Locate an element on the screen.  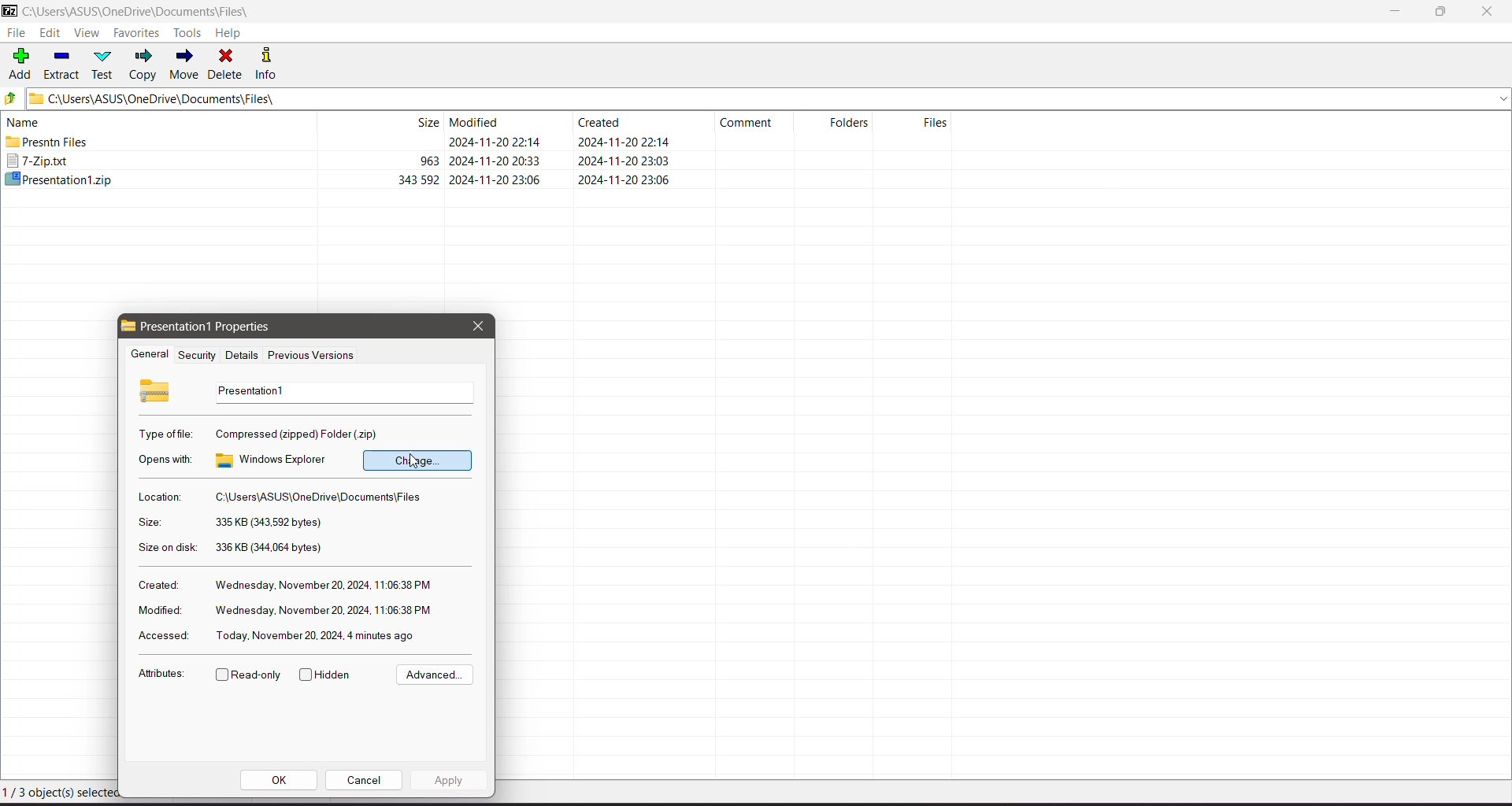
Current Selection is located at coordinates (58, 794).